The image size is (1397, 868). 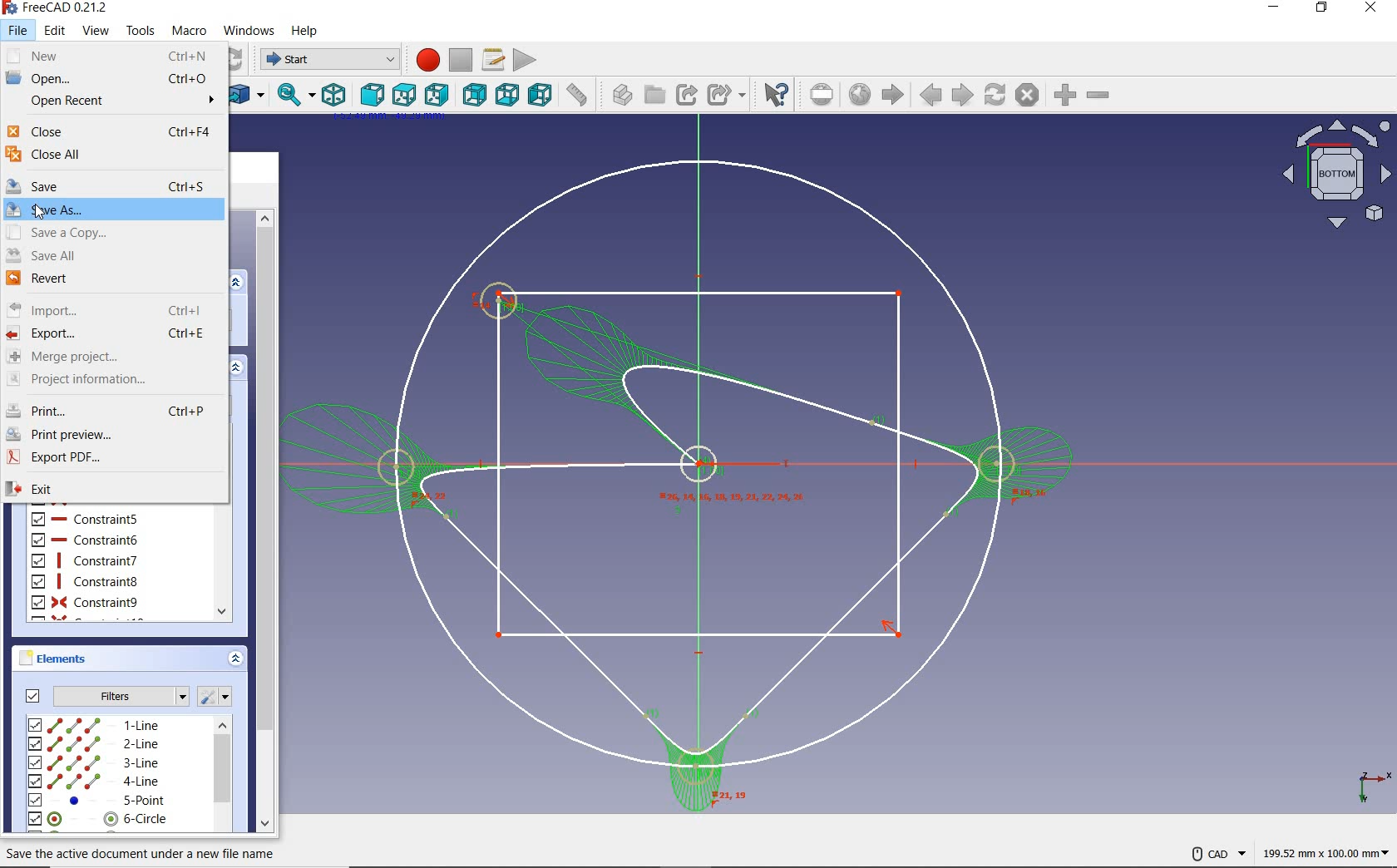 I want to click on constraint8, so click(x=86, y=581).